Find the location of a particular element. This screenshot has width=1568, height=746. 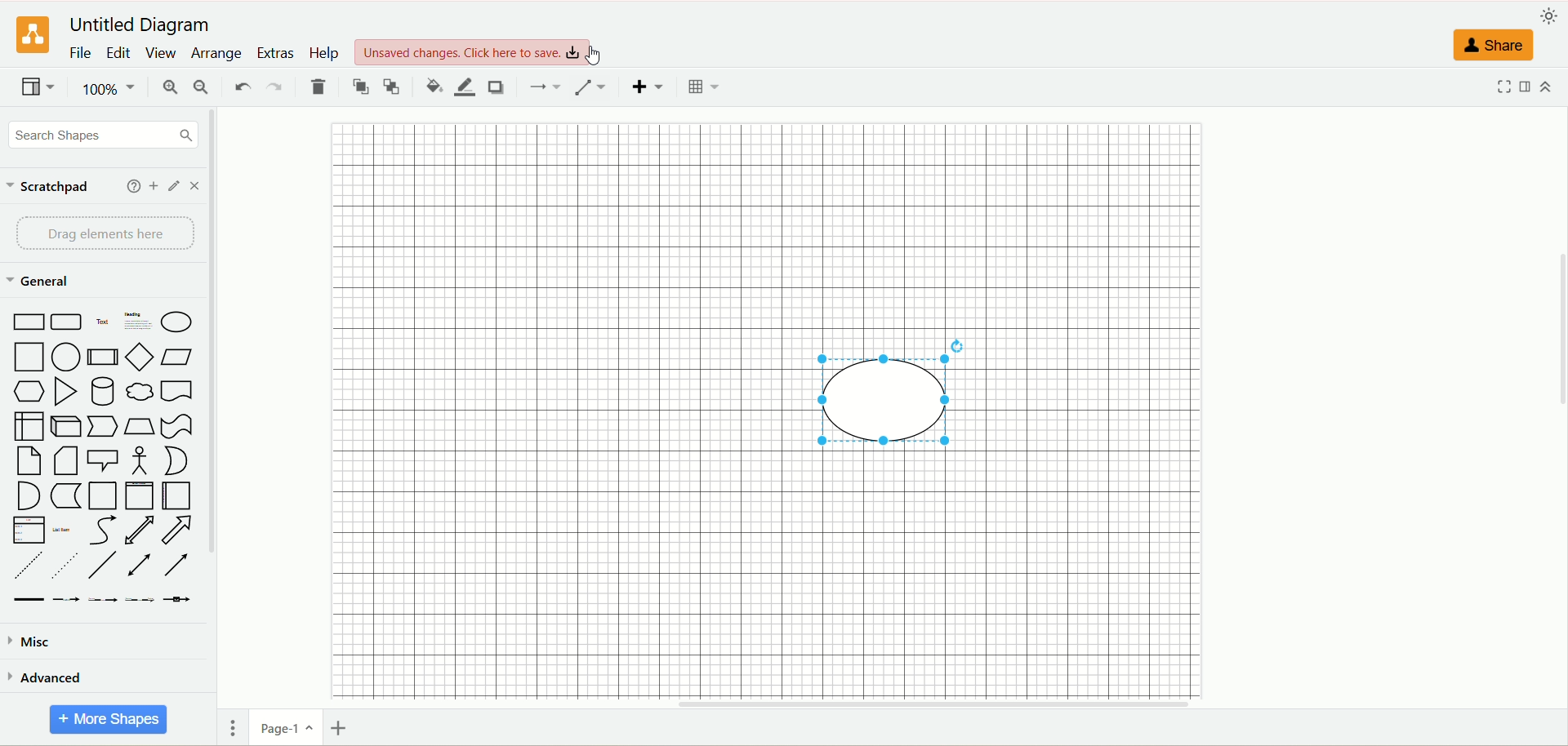

eclipse is located at coordinates (898, 400).